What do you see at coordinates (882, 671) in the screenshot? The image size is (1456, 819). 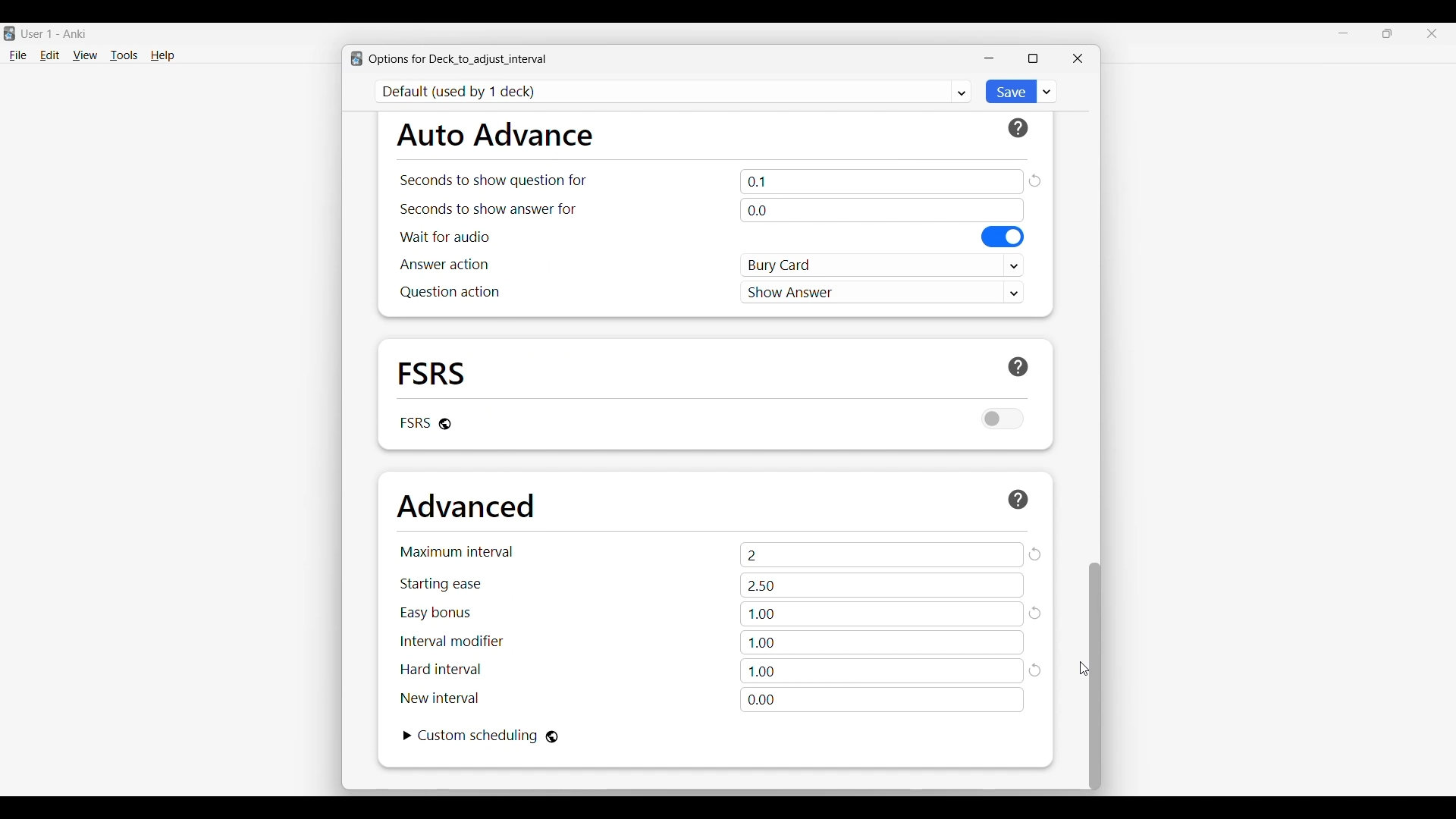 I see `1.00` at bounding box center [882, 671].